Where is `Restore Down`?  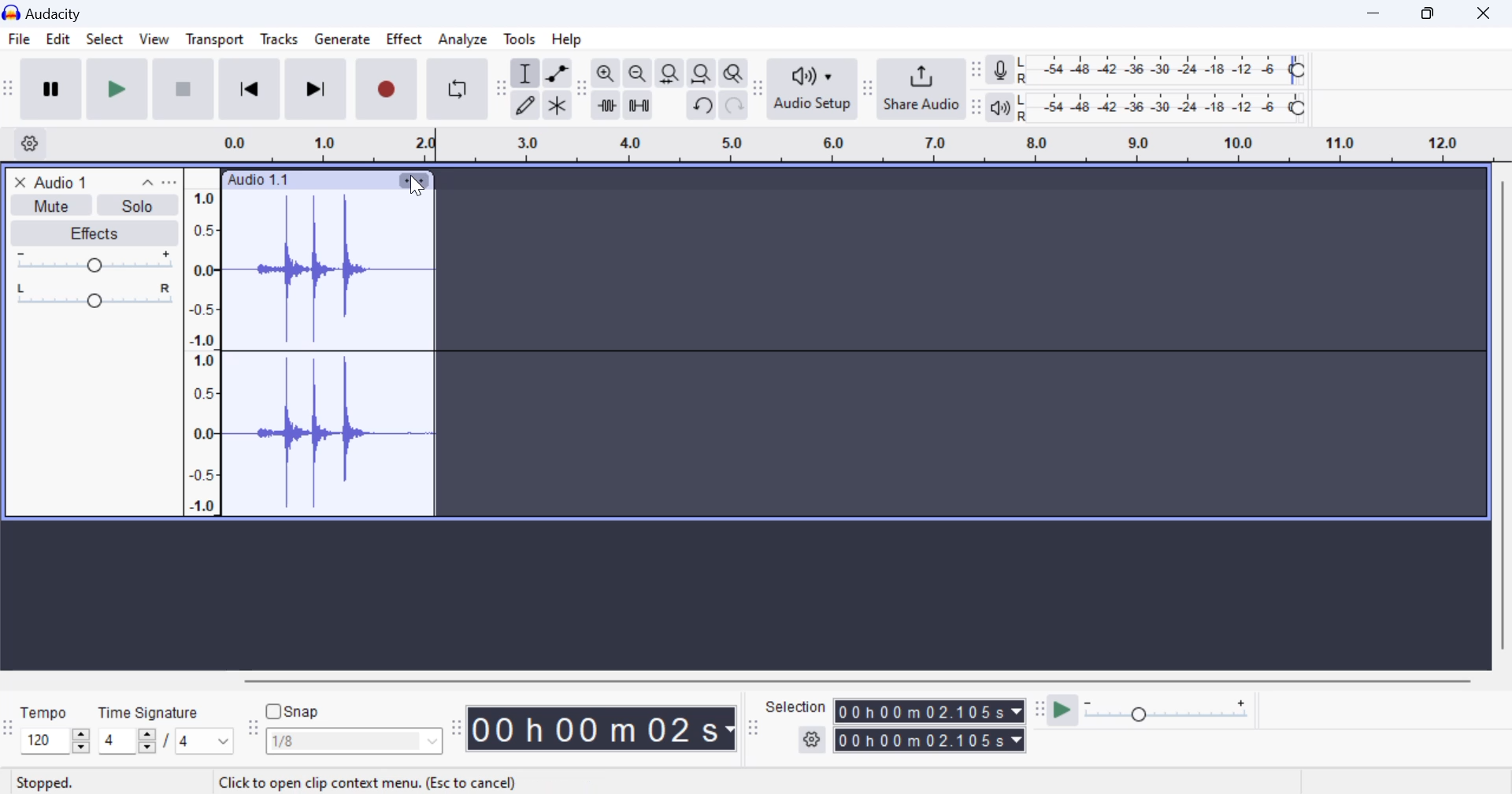
Restore Down is located at coordinates (1376, 13).